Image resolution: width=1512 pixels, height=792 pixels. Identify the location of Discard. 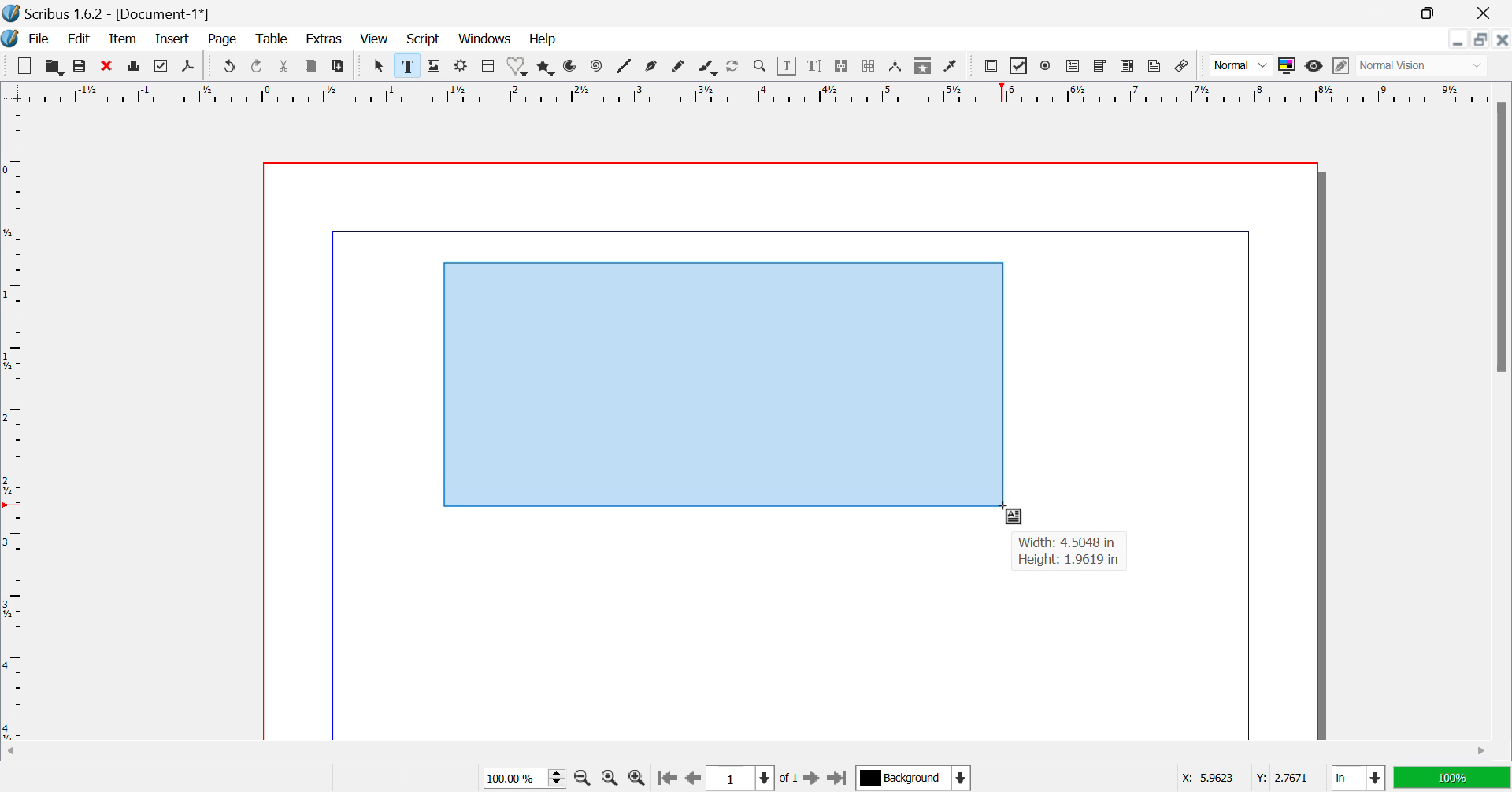
(107, 66).